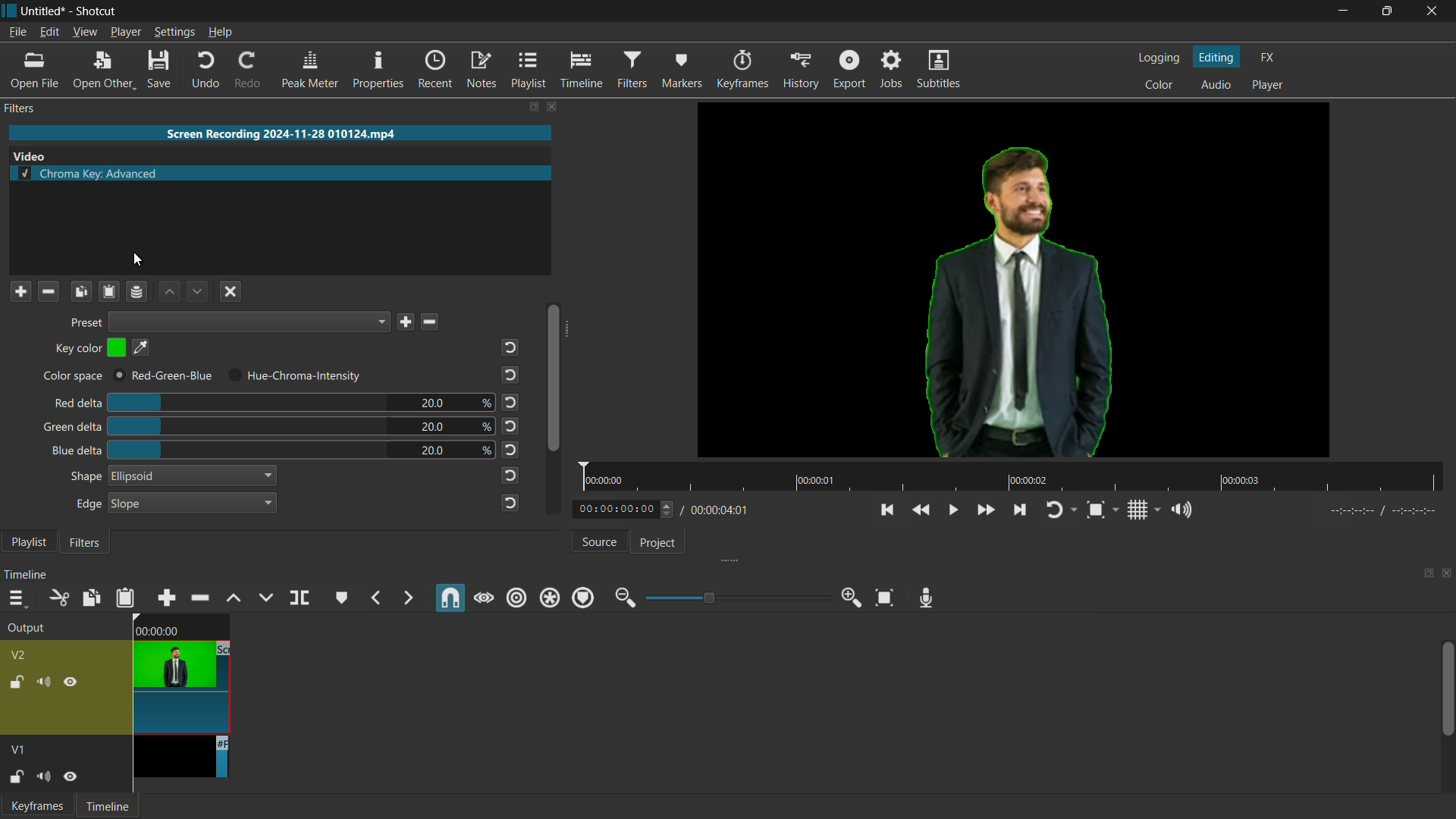  Describe the element at coordinates (510, 428) in the screenshot. I see `reset to default` at that location.